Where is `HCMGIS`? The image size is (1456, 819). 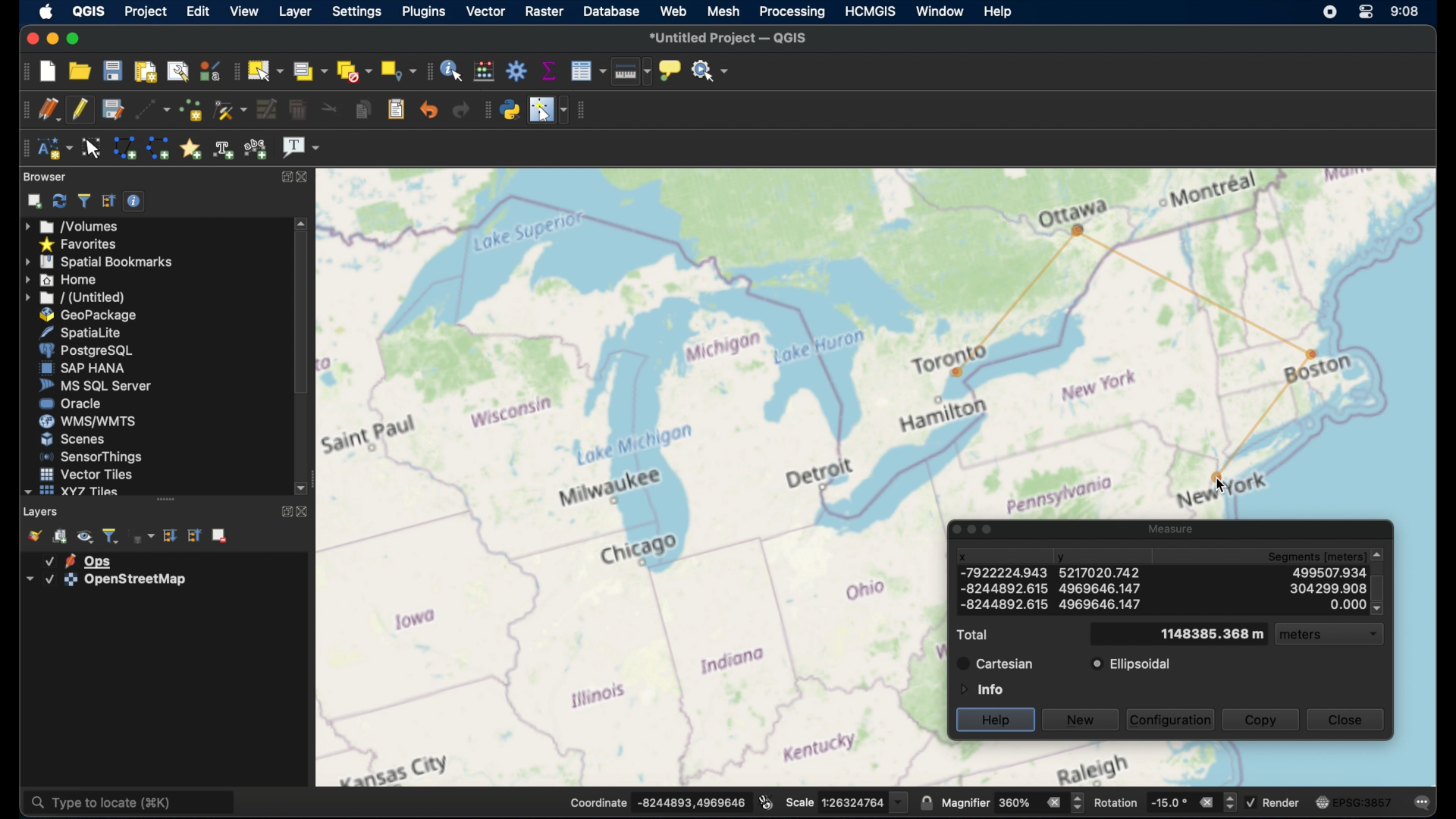 HCMGIS is located at coordinates (873, 11).